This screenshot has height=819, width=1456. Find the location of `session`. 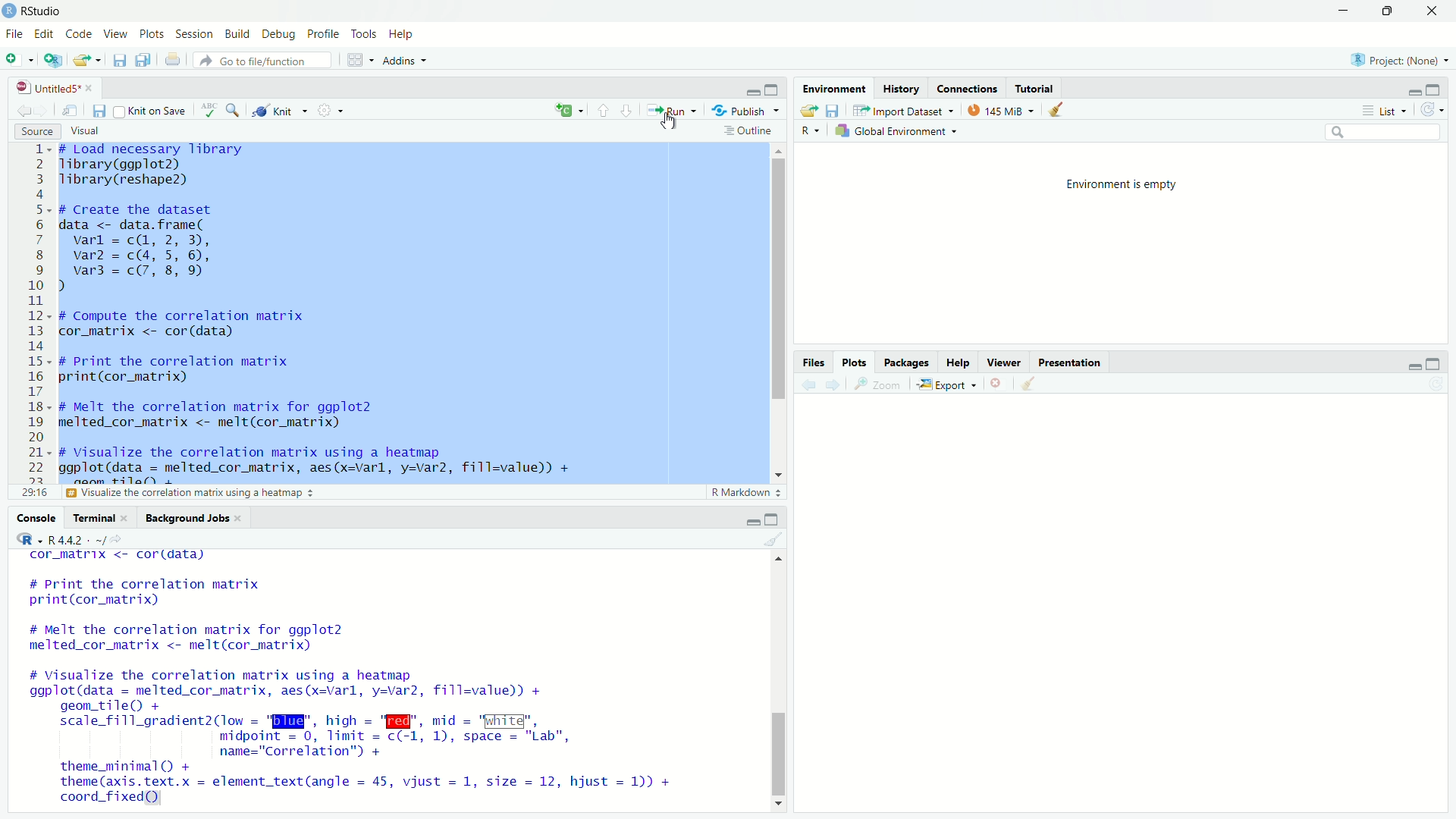

session is located at coordinates (194, 35).